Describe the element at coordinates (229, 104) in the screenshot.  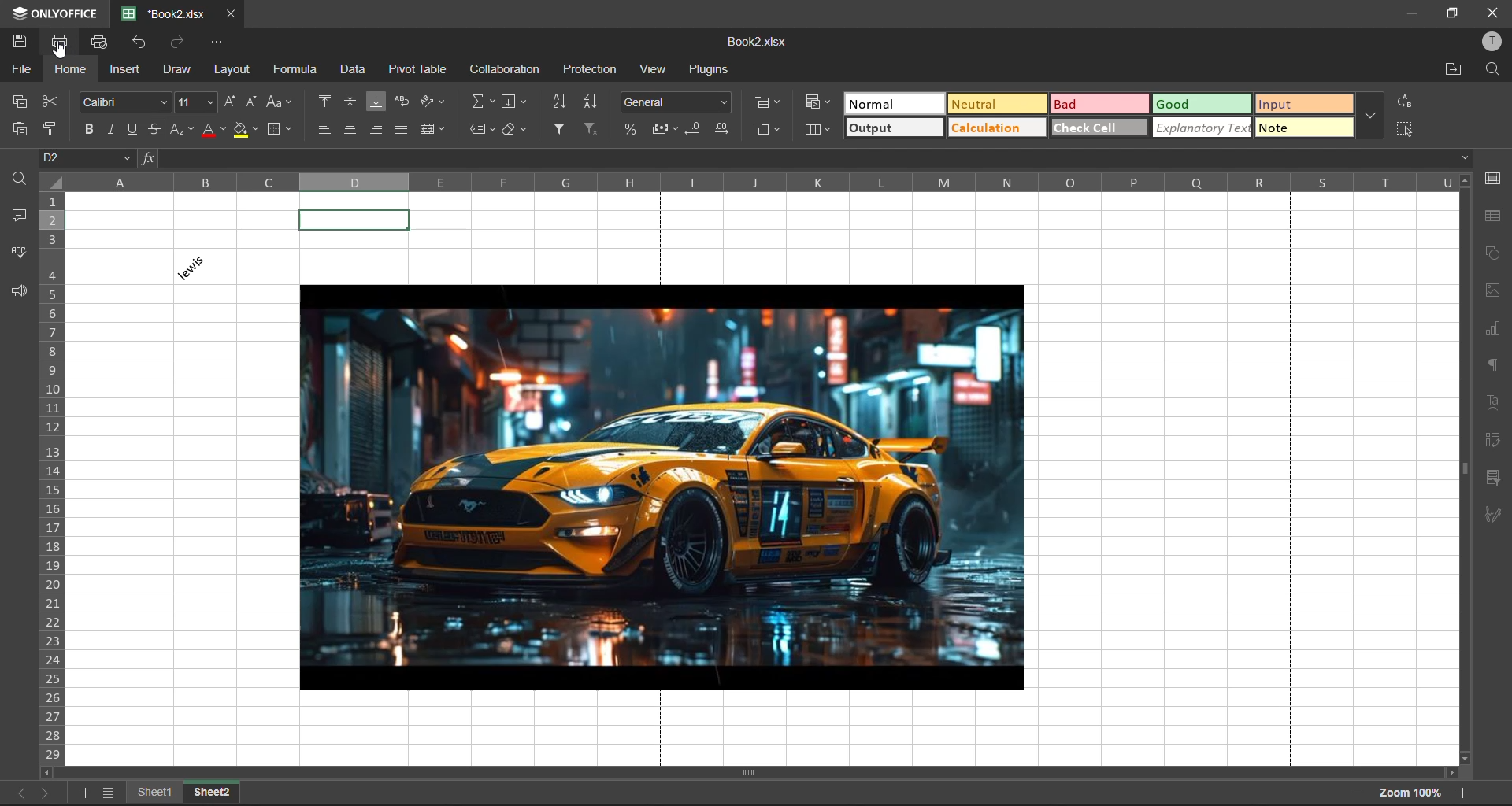
I see `increment size` at that location.